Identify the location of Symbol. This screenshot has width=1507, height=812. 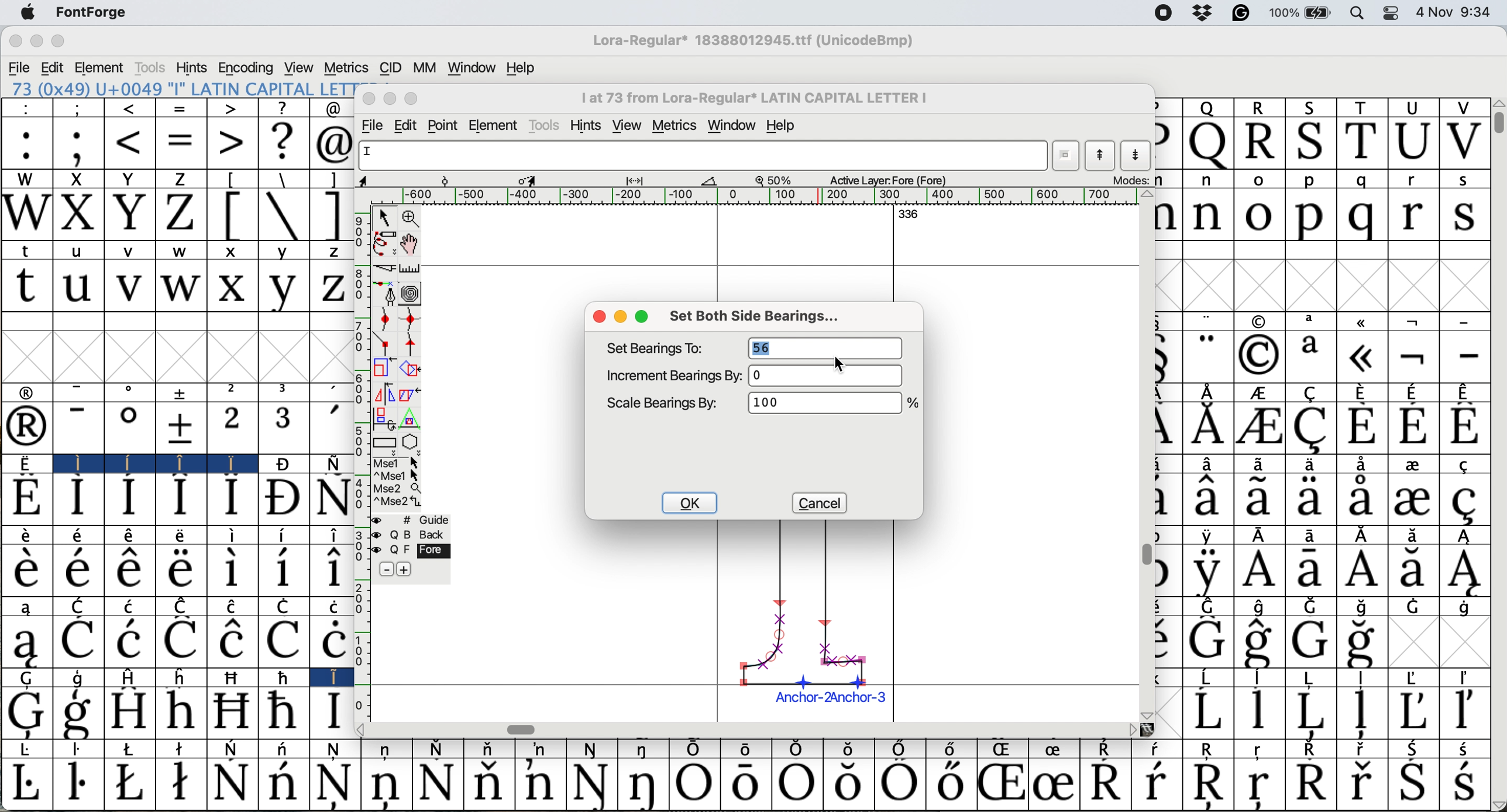
(78, 642).